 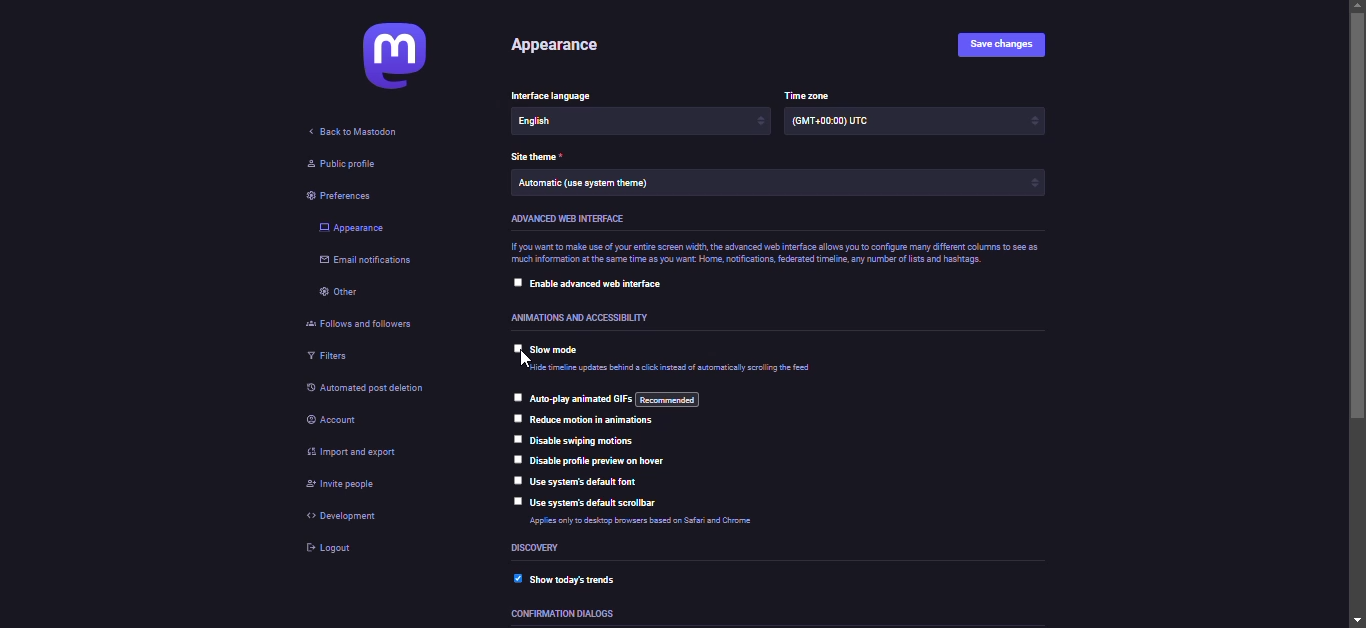 What do you see at coordinates (513, 283) in the screenshot?
I see `click to select` at bounding box center [513, 283].